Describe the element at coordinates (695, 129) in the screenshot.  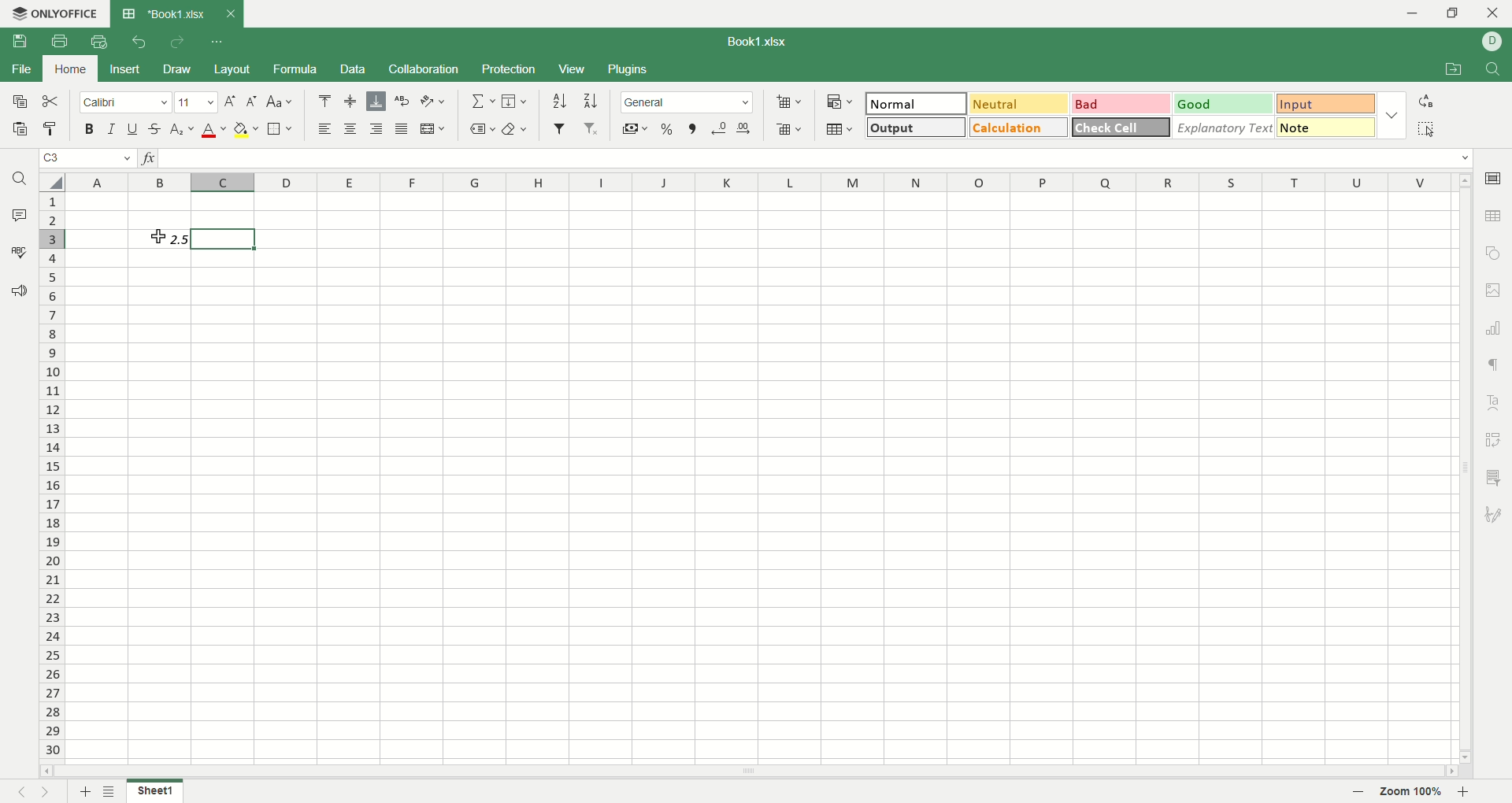
I see `comma style` at that location.